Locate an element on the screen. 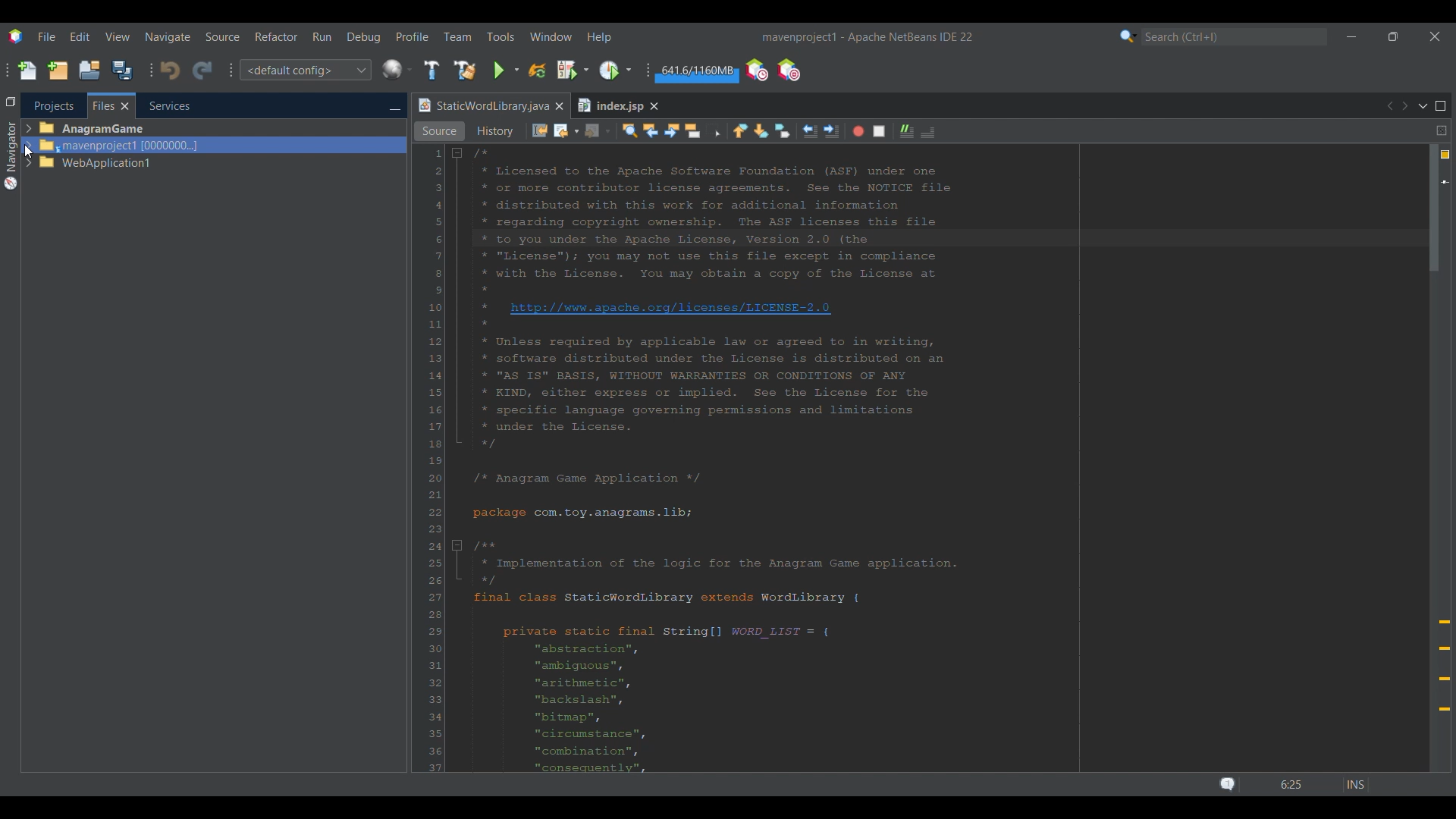  Current selection highlighted is located at coordinates (111, 105).